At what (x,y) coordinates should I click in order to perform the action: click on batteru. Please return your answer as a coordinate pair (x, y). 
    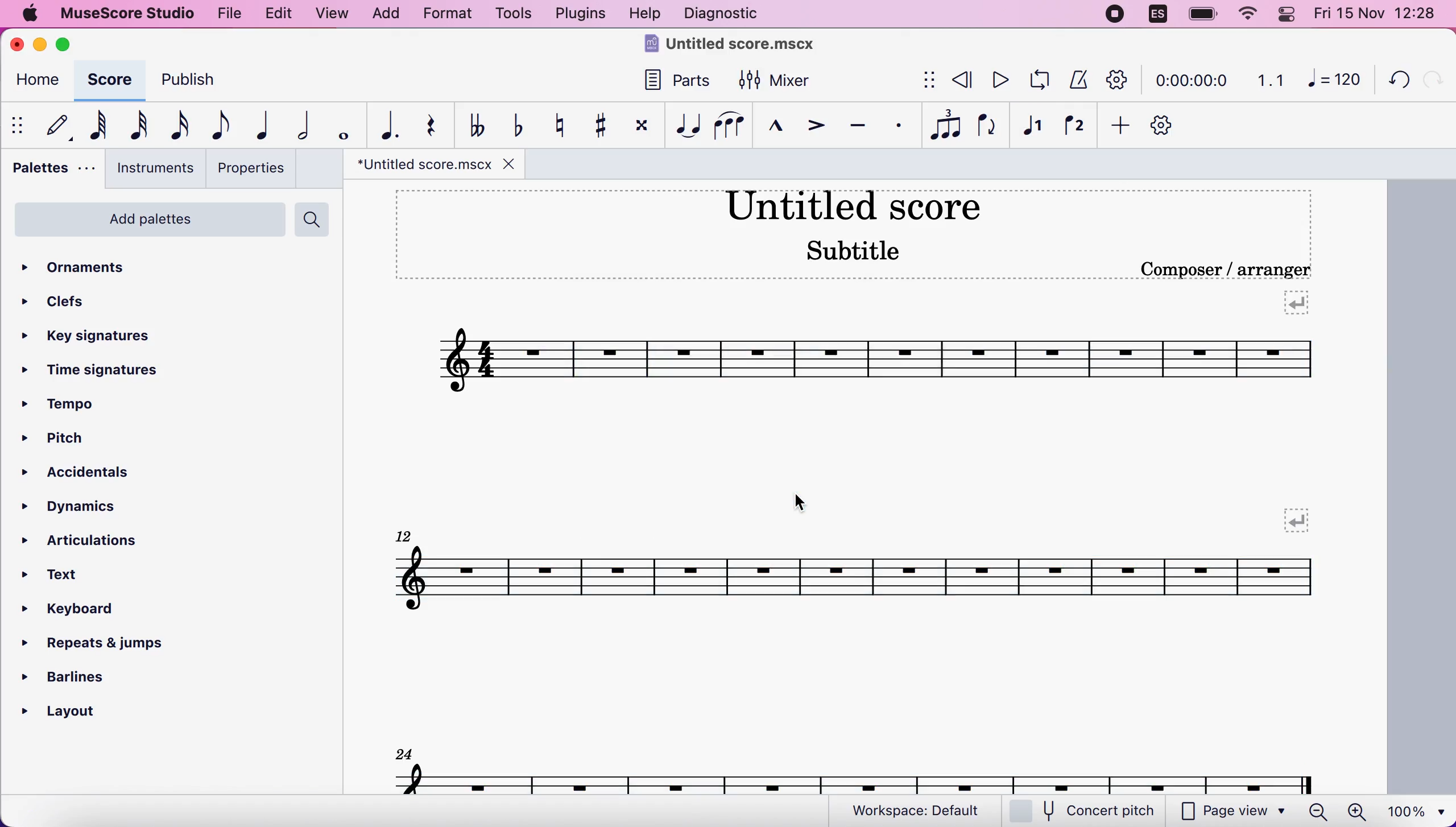
    Looking at the image, I should click on (1203, 15).